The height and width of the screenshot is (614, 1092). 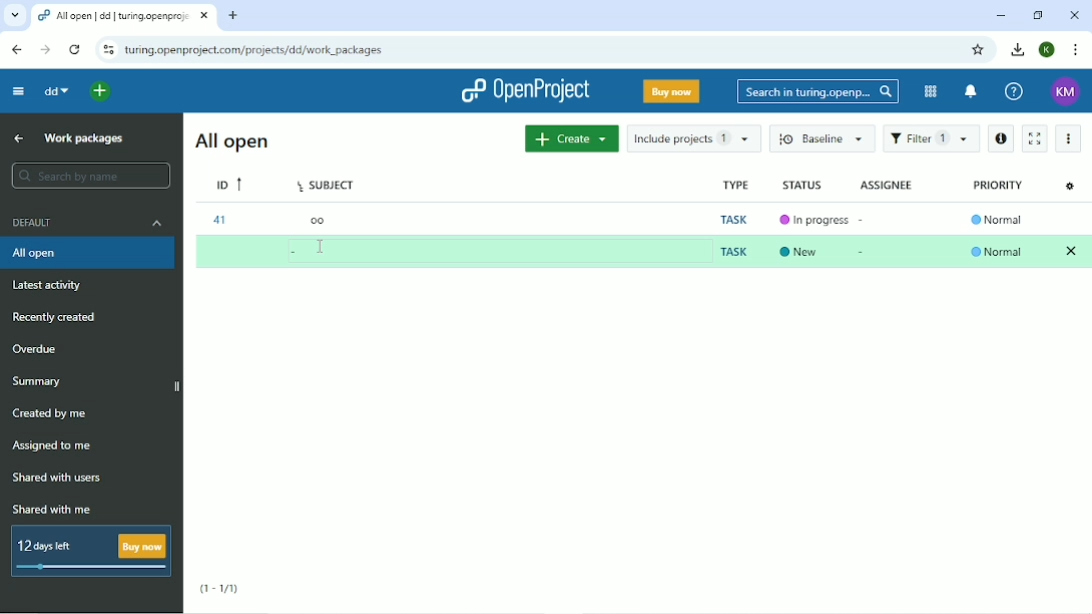 What do you see at coordinates (1001, 15) in the screenshot?
I see `Minimize` at bounding box center [1001, 15].